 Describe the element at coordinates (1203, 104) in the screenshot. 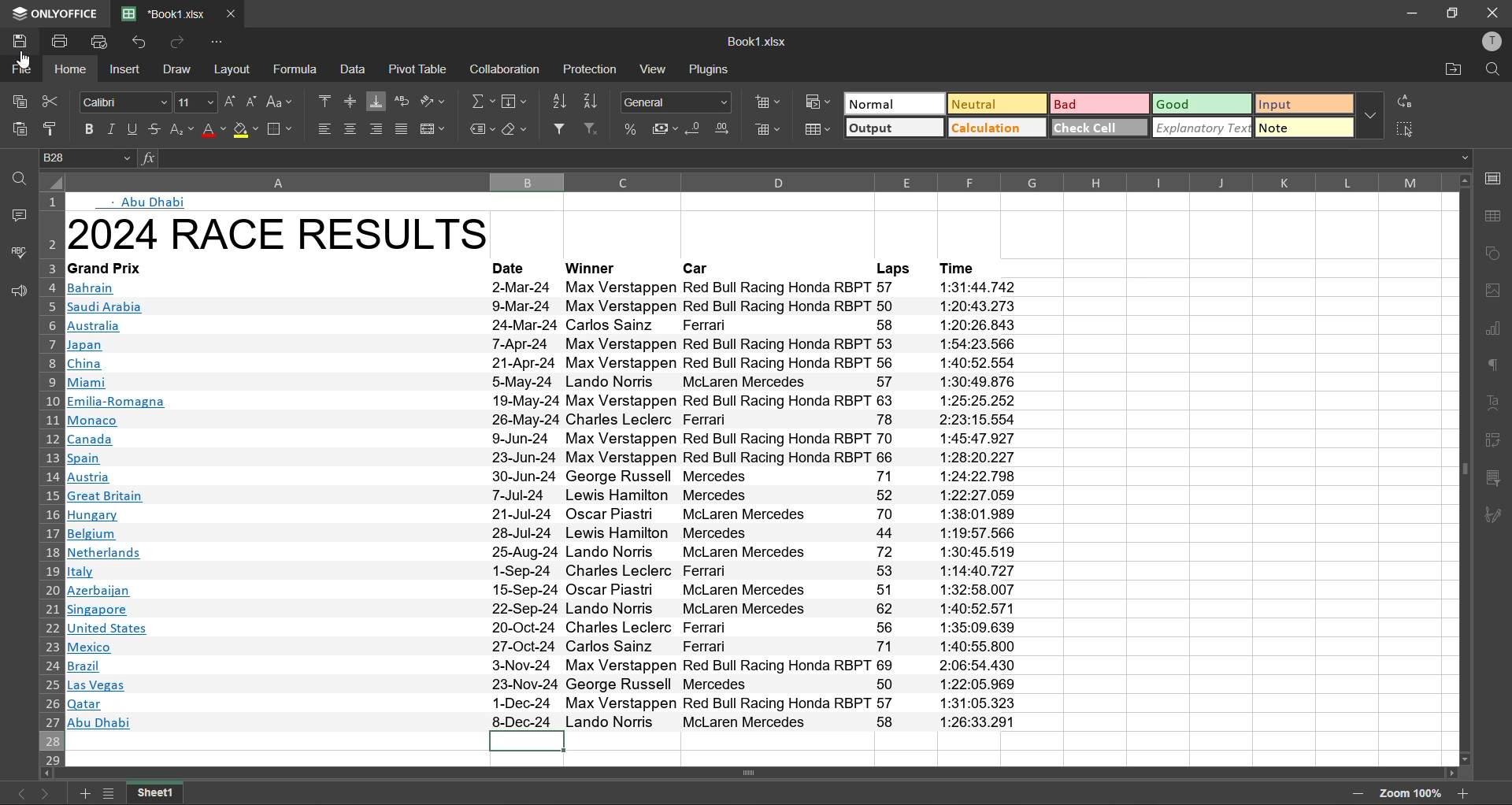

I see `good` at that location.